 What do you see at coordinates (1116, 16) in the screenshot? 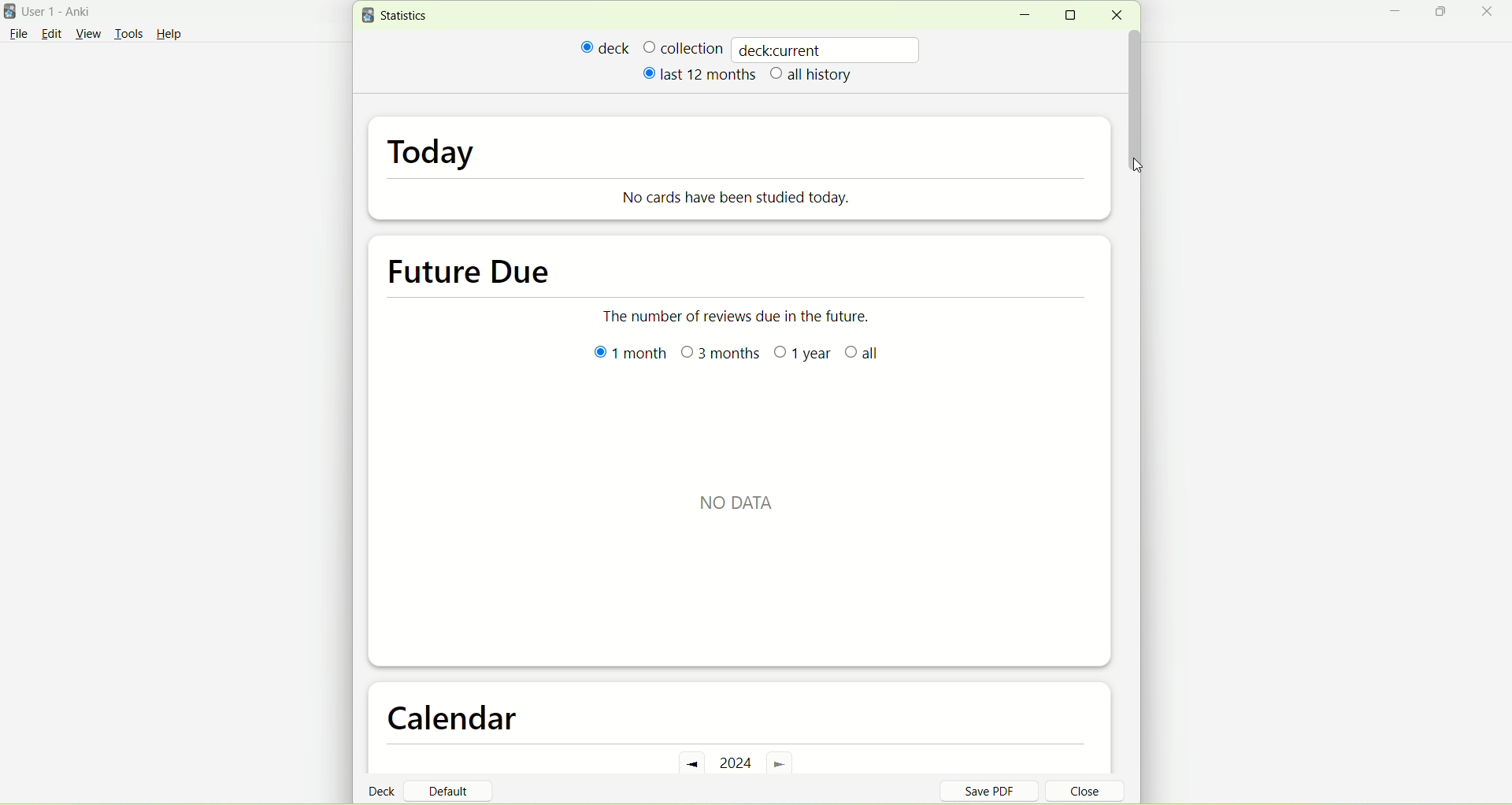
I see `close` at bounding box center [1116, 16].